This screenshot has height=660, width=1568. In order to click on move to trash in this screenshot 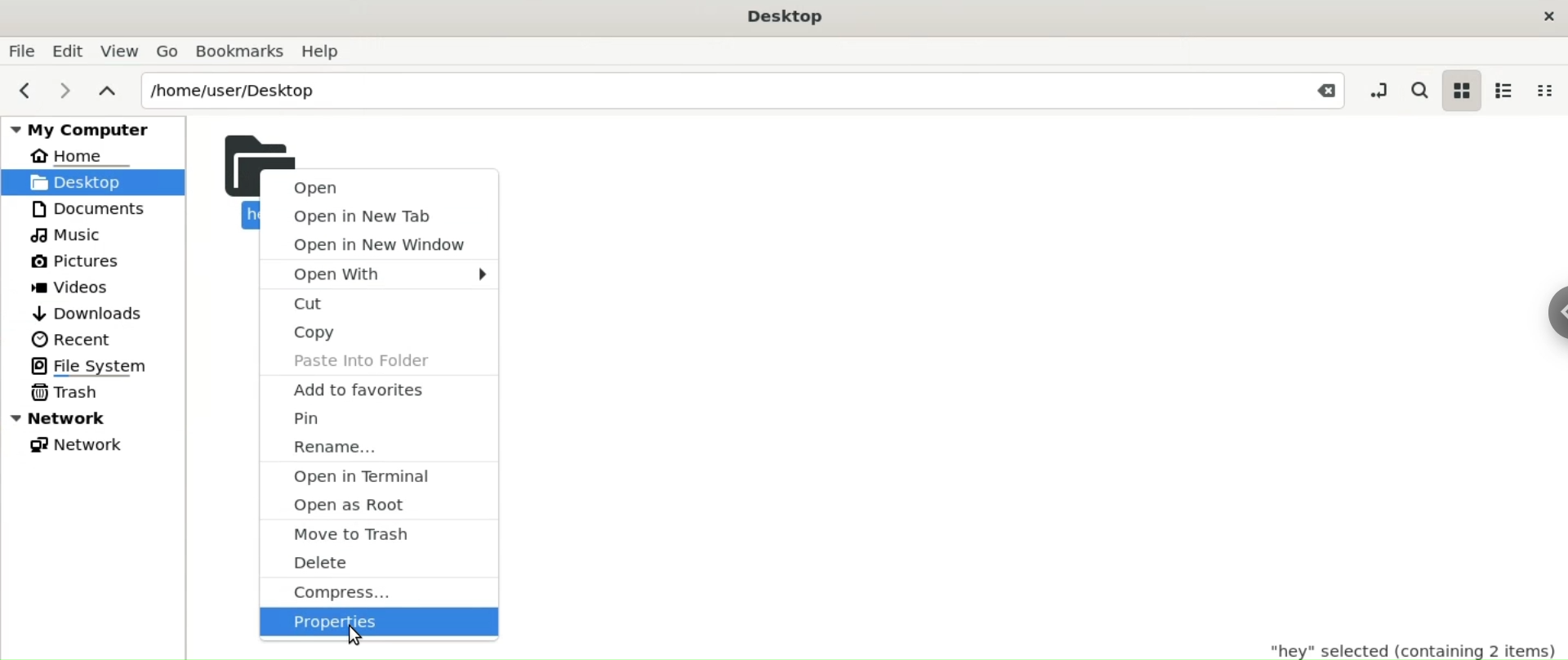, I will do `click(379, 533)`.